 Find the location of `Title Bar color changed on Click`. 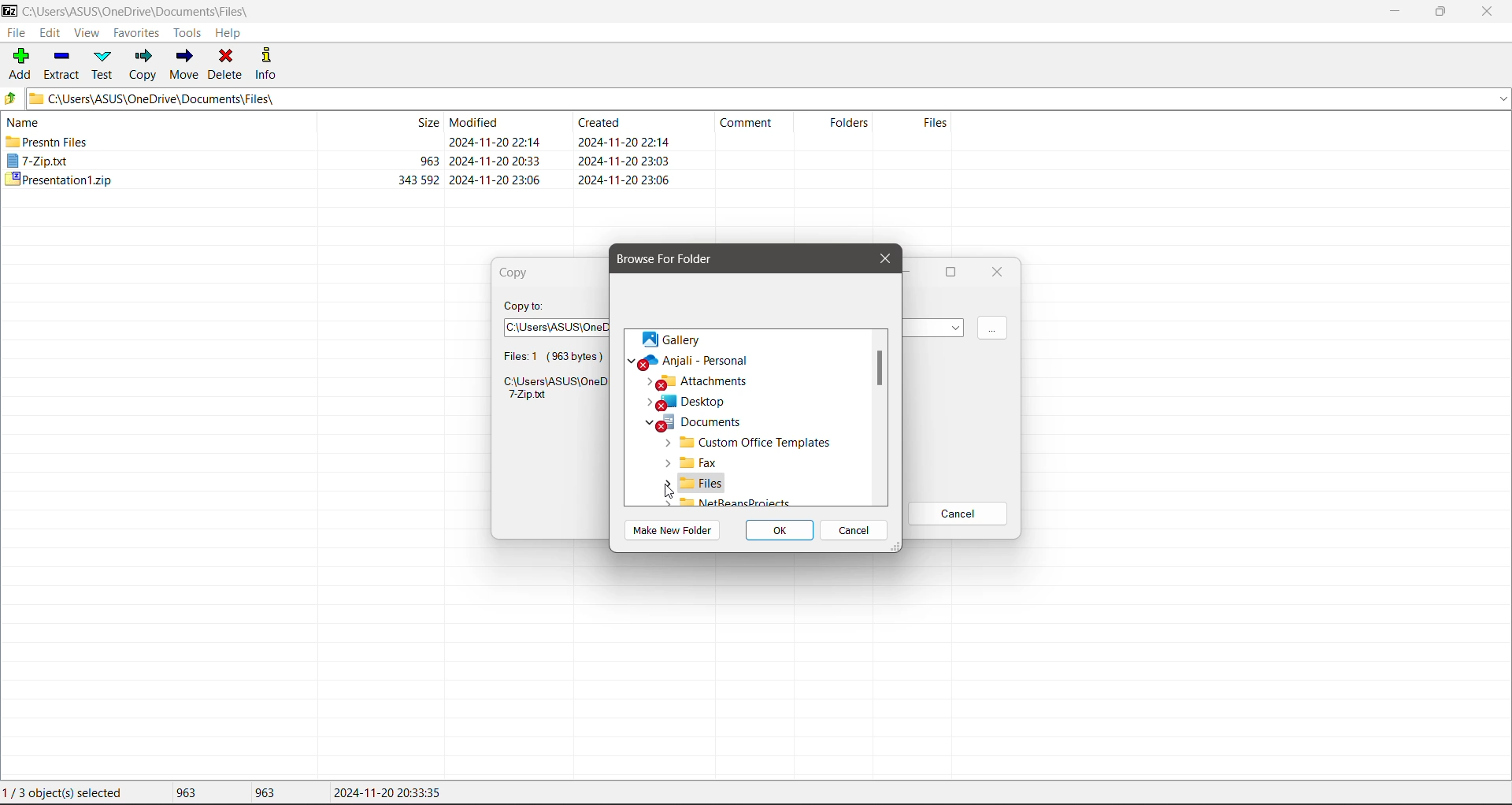

Title Bar color changed on Click is located at coordinates (547, 10).